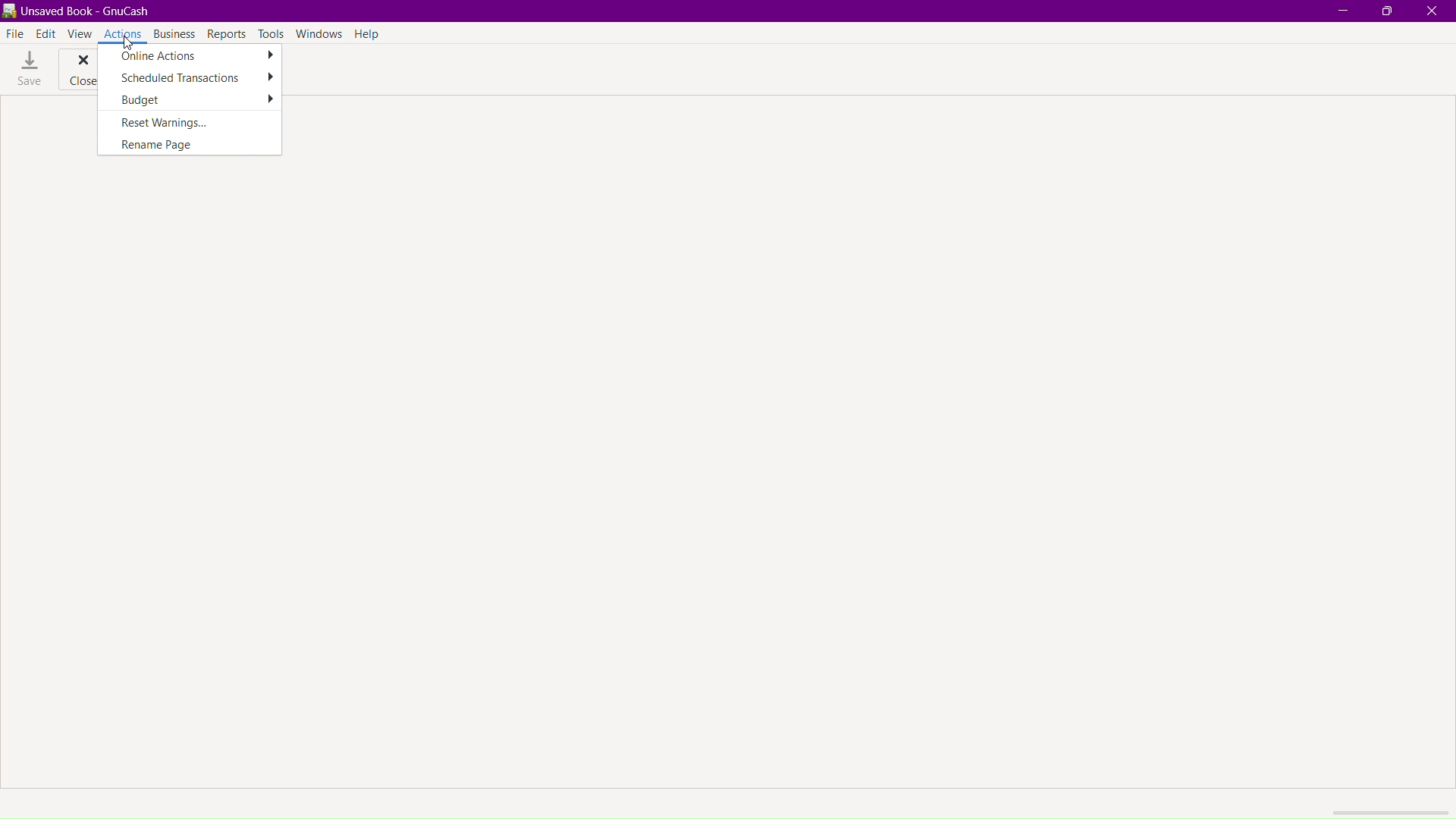 This screenshot has width=1456, height=819. Describe the element at coordinates (28, 71) in the screenshot. I see `Save` at that location.